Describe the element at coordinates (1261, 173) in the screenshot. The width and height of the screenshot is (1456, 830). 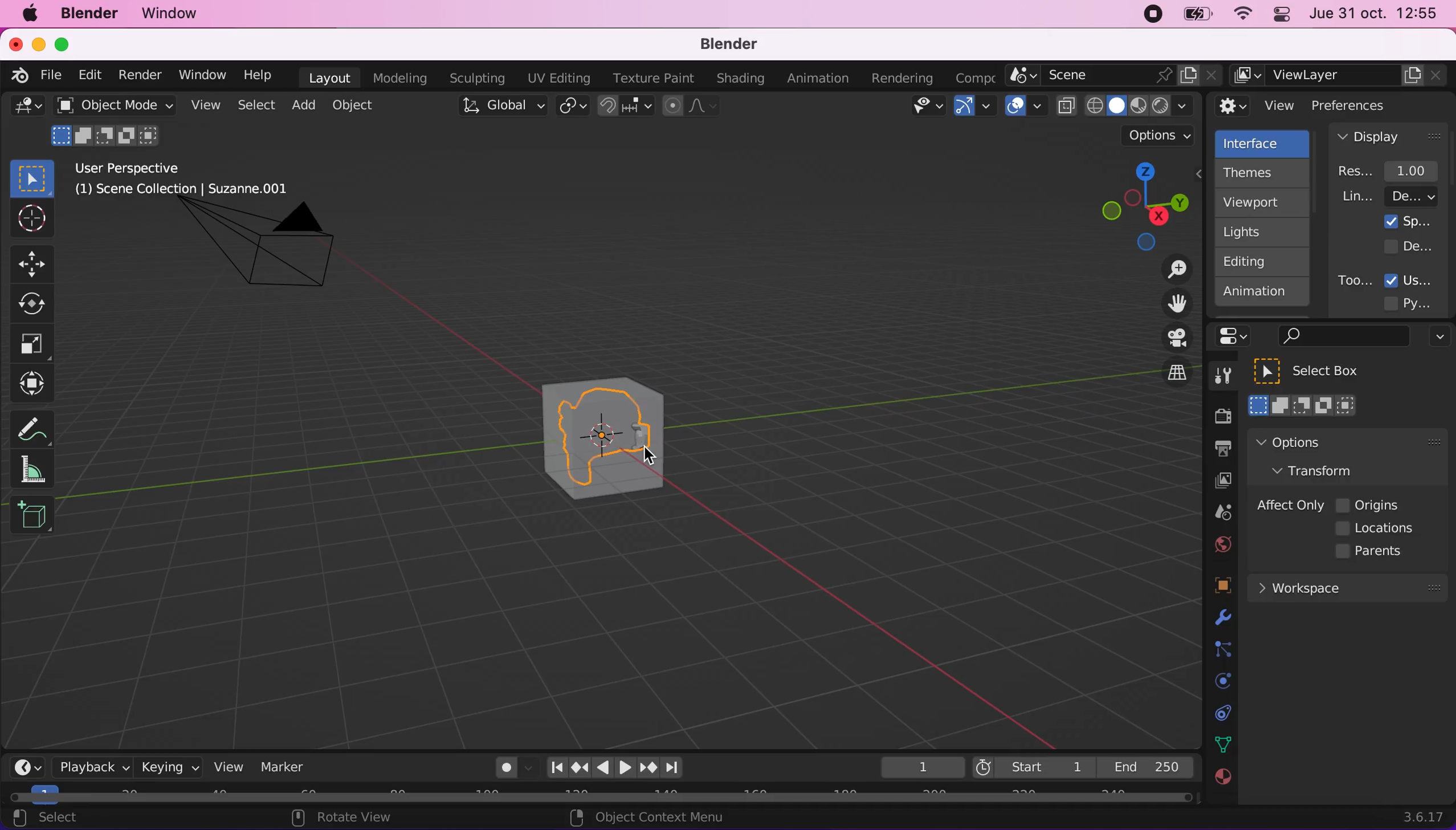
I see `themes` at that location.